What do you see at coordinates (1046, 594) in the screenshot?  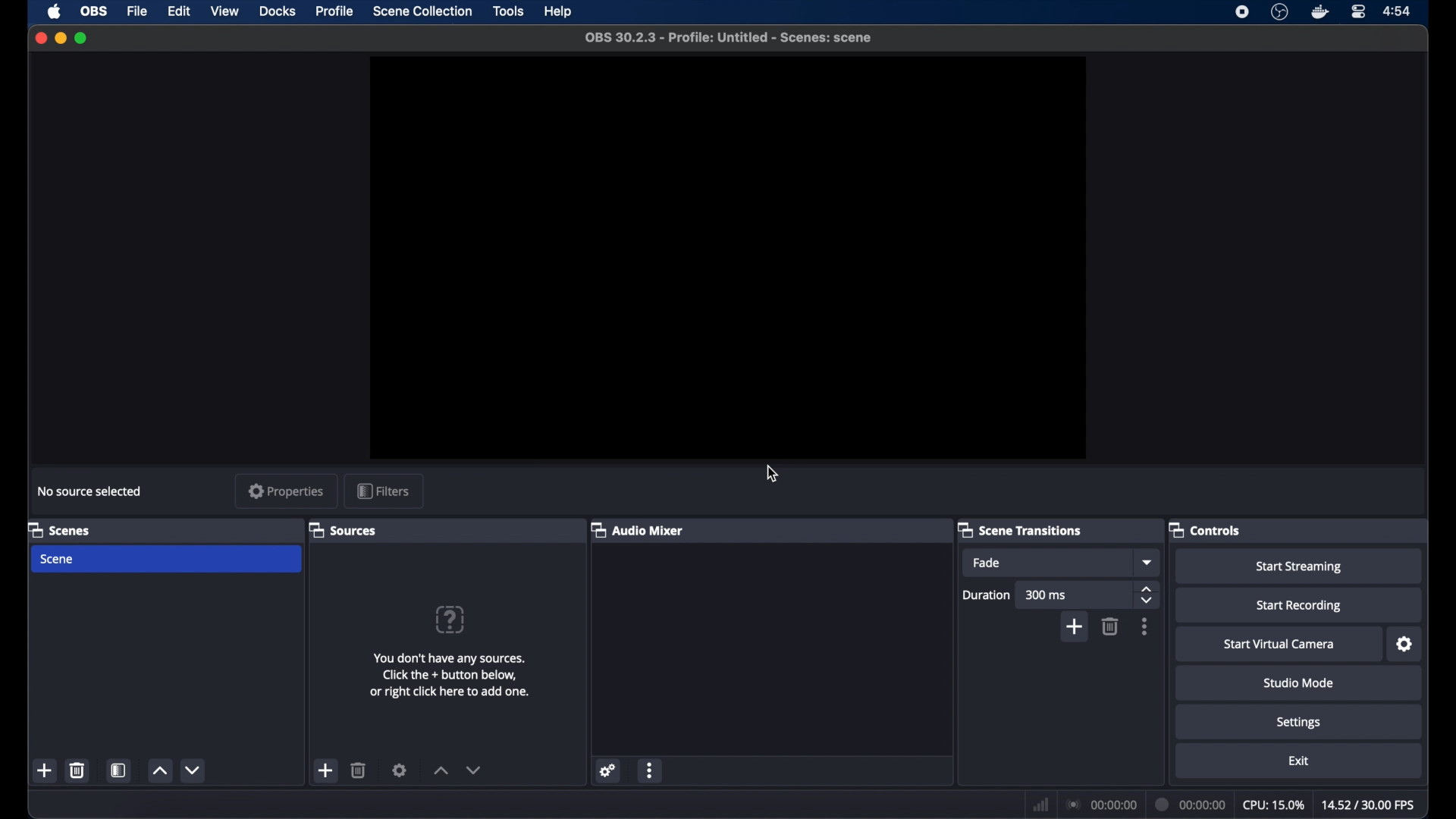 I see `300 ms` at bounding box center [1046, 594].